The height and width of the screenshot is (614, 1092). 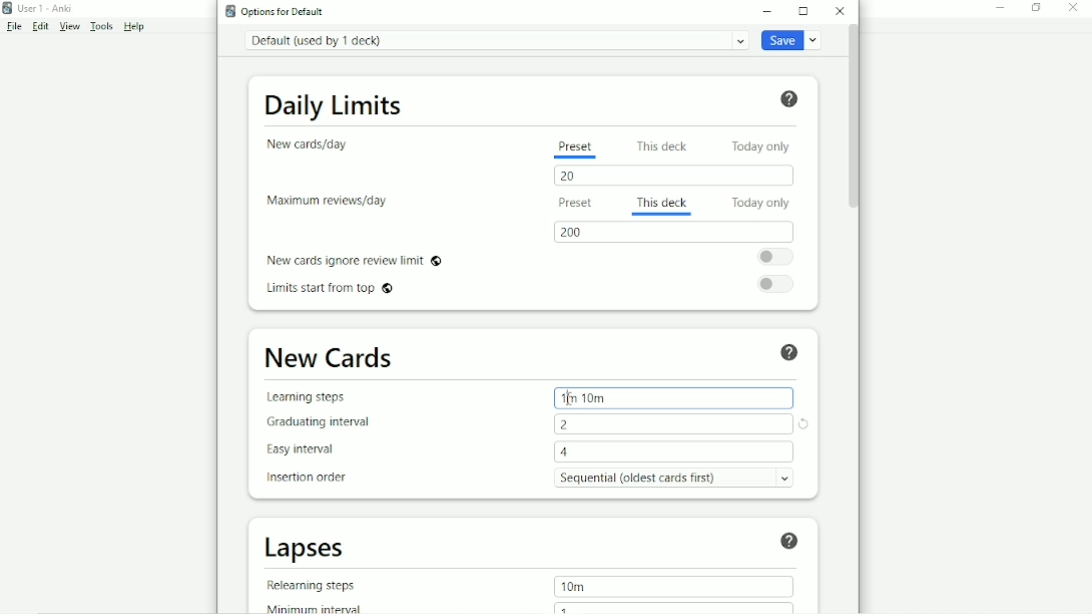 I want to click on Limits start from top, so click(x=332, y=290).